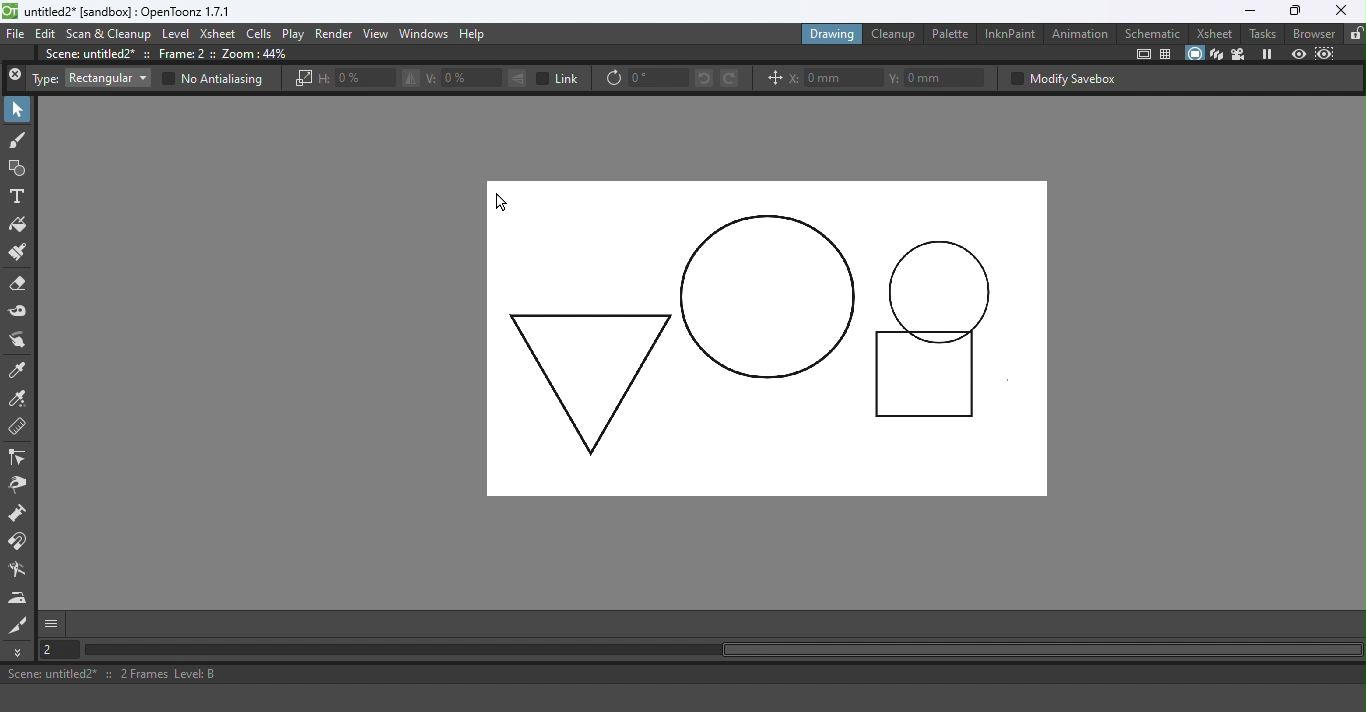 The image size is (1366, 712). Describe the element at coordinates (19, 459) in the screenshot. I see `Control point editor tool` at that location.